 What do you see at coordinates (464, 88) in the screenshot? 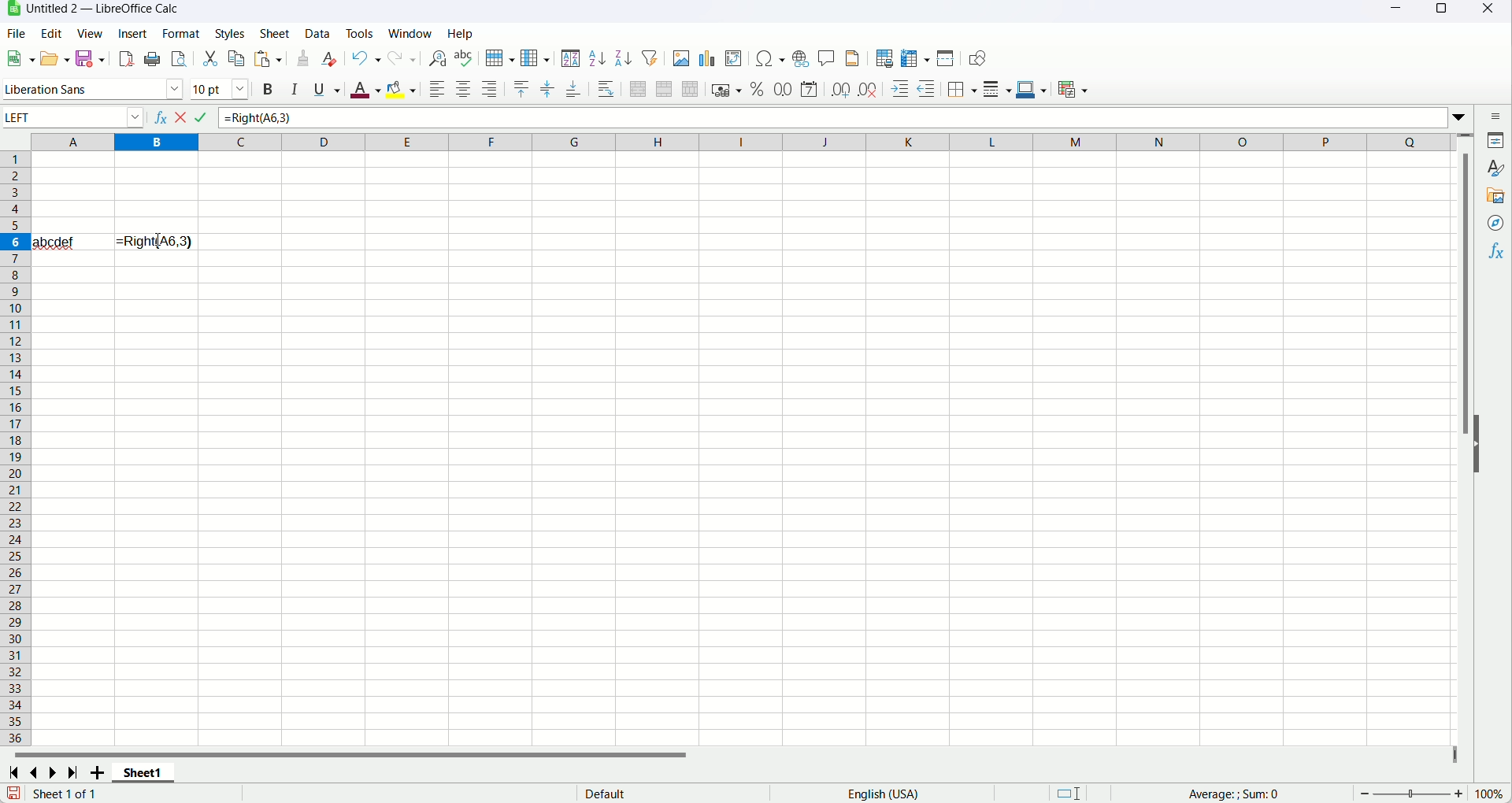
I see `align center` at bounding box center [464, 88].